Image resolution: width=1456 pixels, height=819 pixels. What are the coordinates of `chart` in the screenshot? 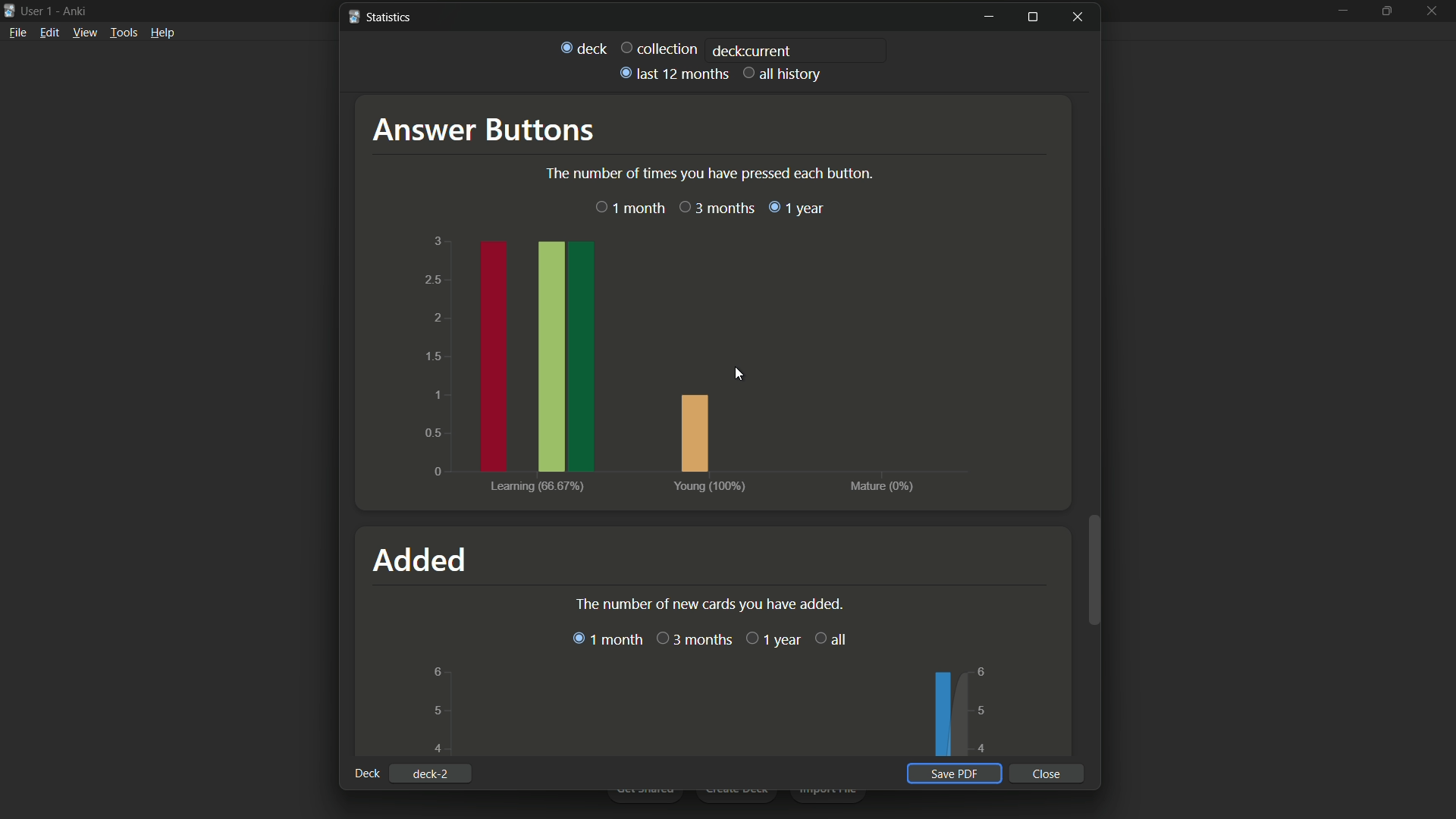 It's located at (685, 361).